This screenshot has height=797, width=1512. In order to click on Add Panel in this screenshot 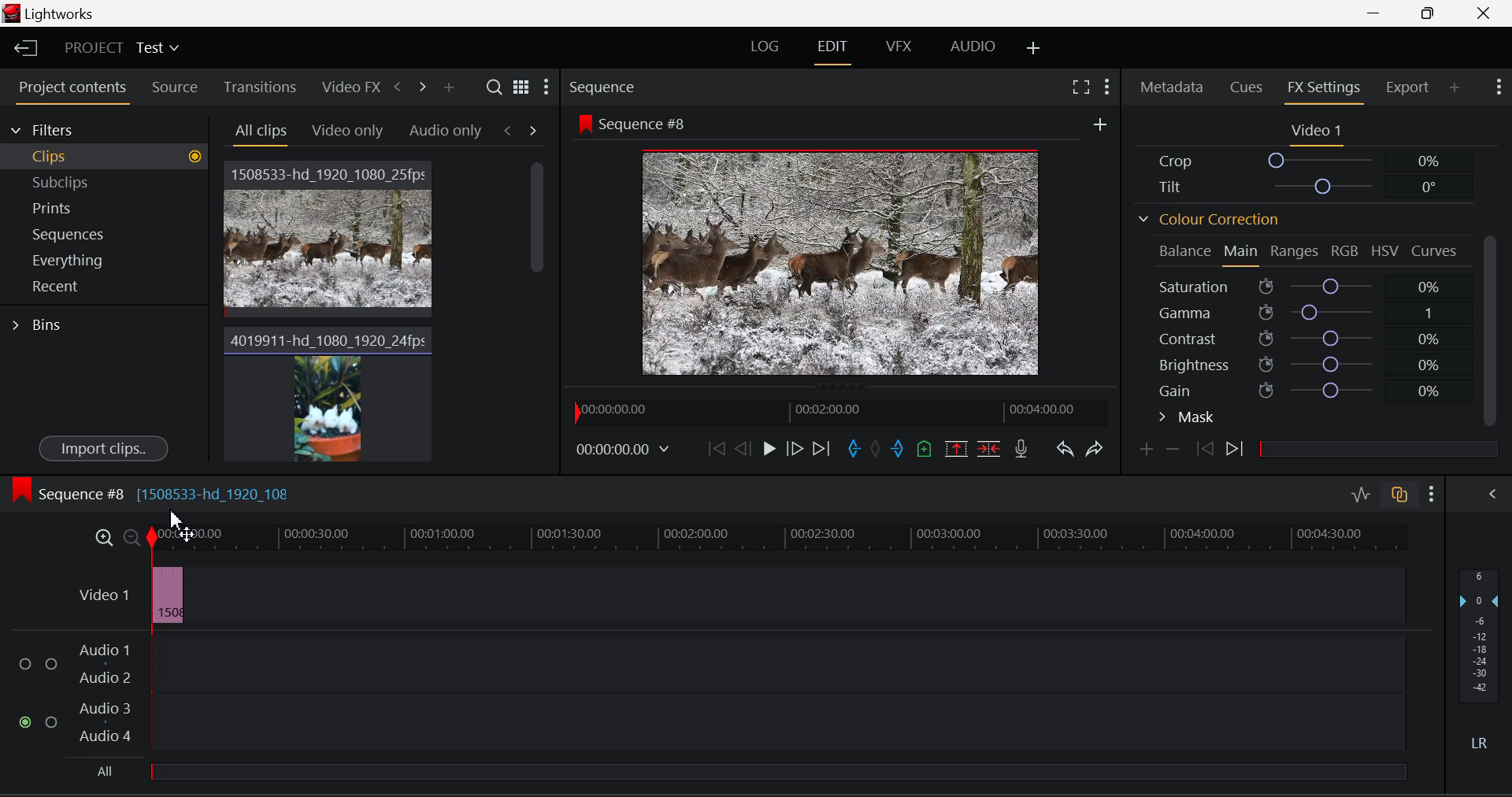, I will do `click(1456, 89)`.